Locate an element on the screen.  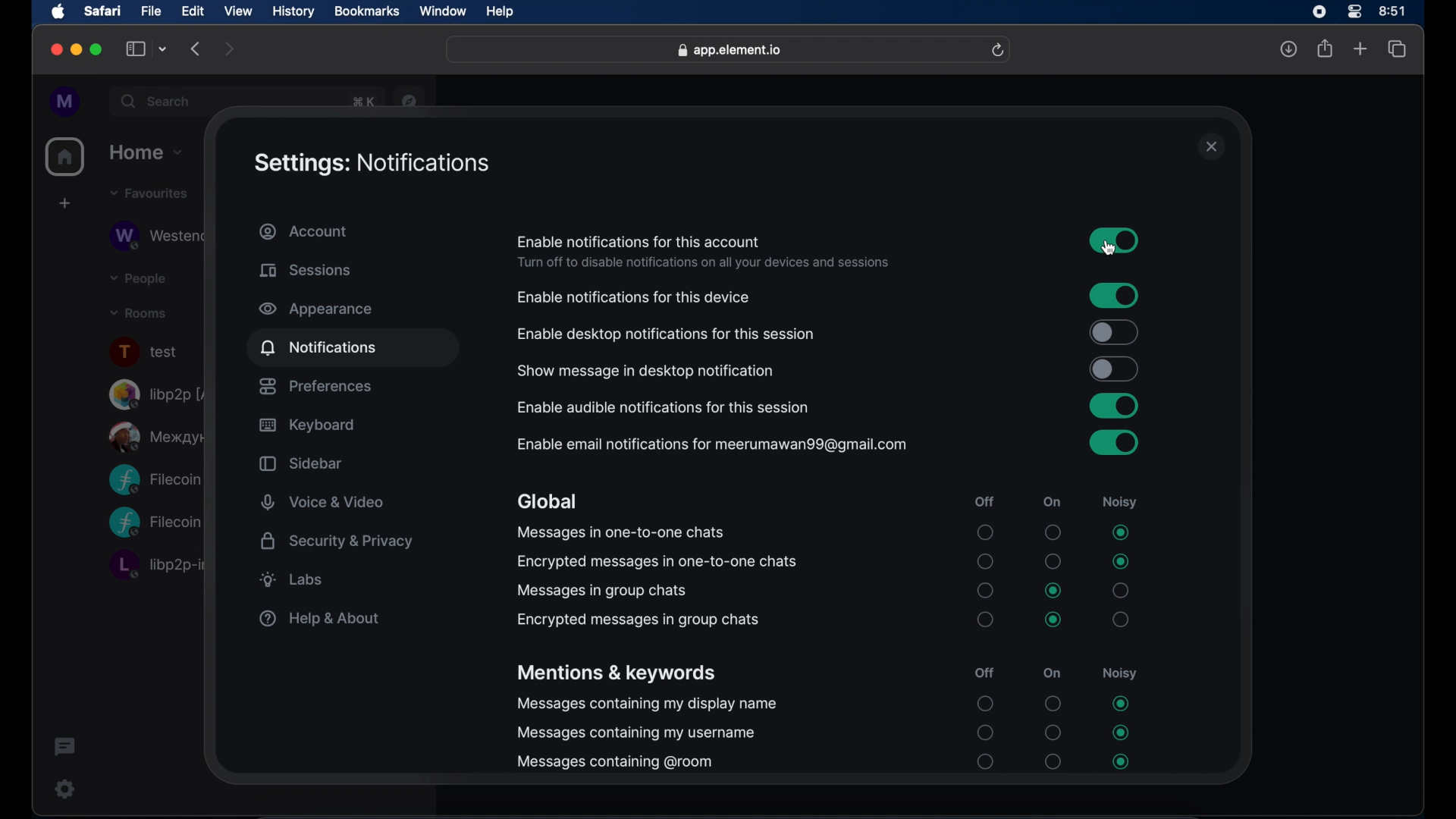
people drop down is located at coordinates (136, 279).